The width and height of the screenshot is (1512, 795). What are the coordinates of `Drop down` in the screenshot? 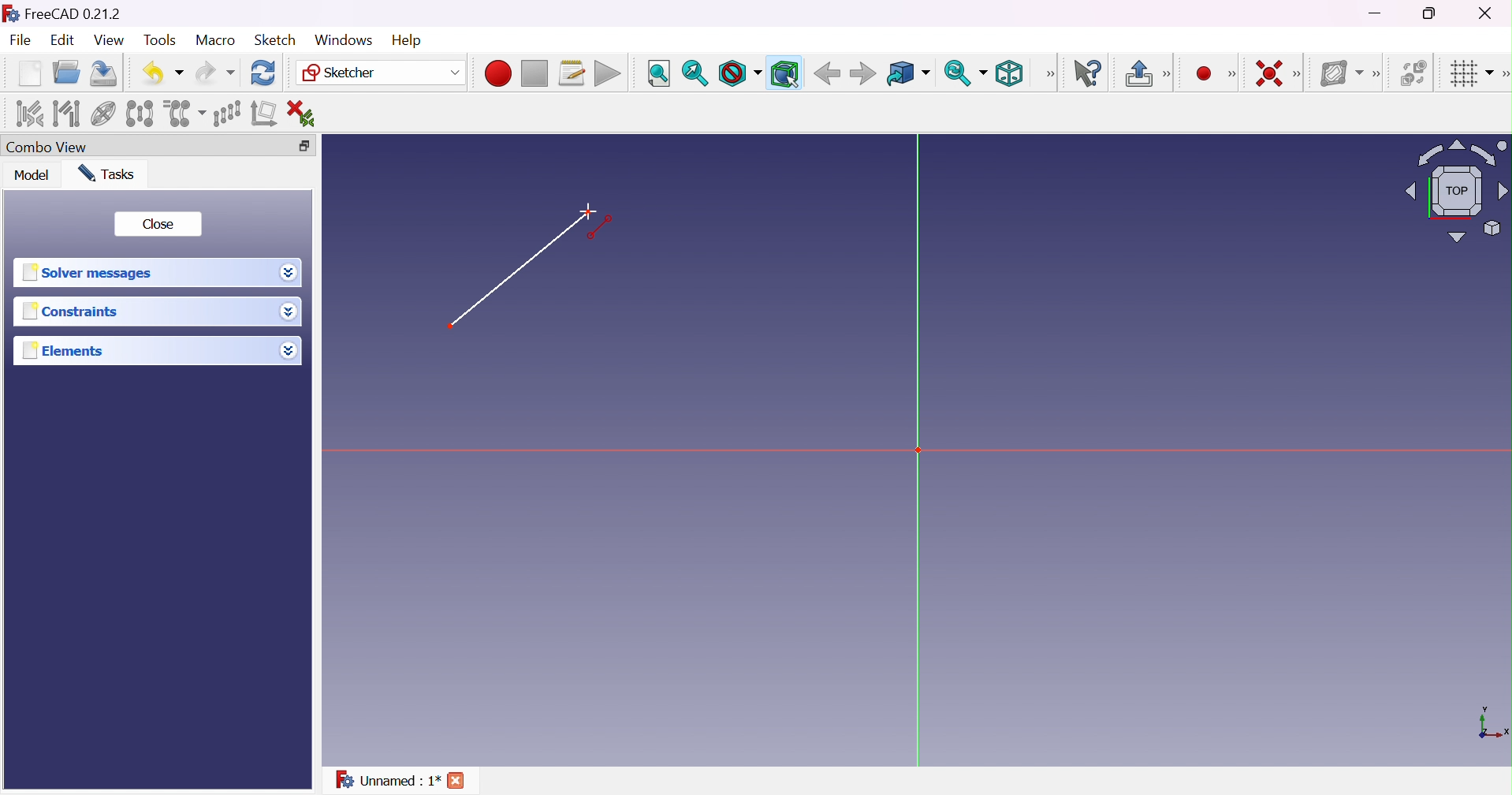 It's located at (291, 353).